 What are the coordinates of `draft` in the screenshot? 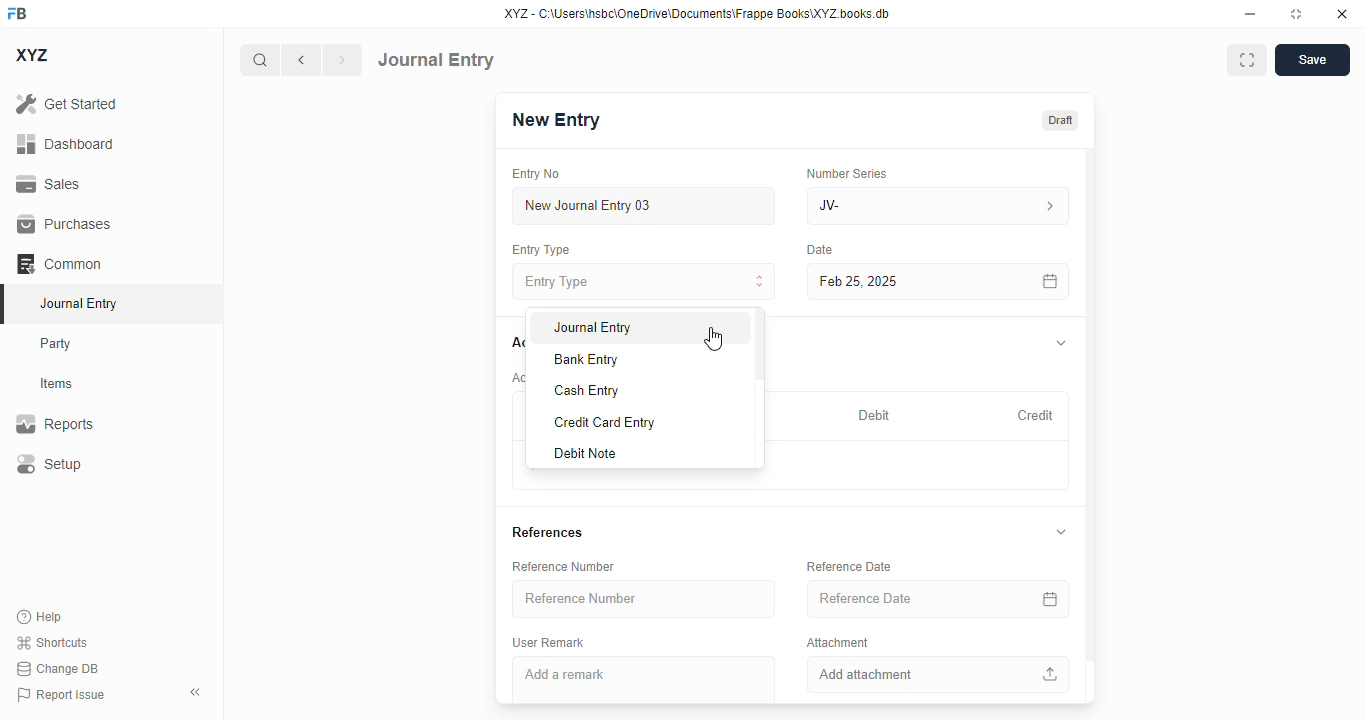 It's located at (1061, 121).